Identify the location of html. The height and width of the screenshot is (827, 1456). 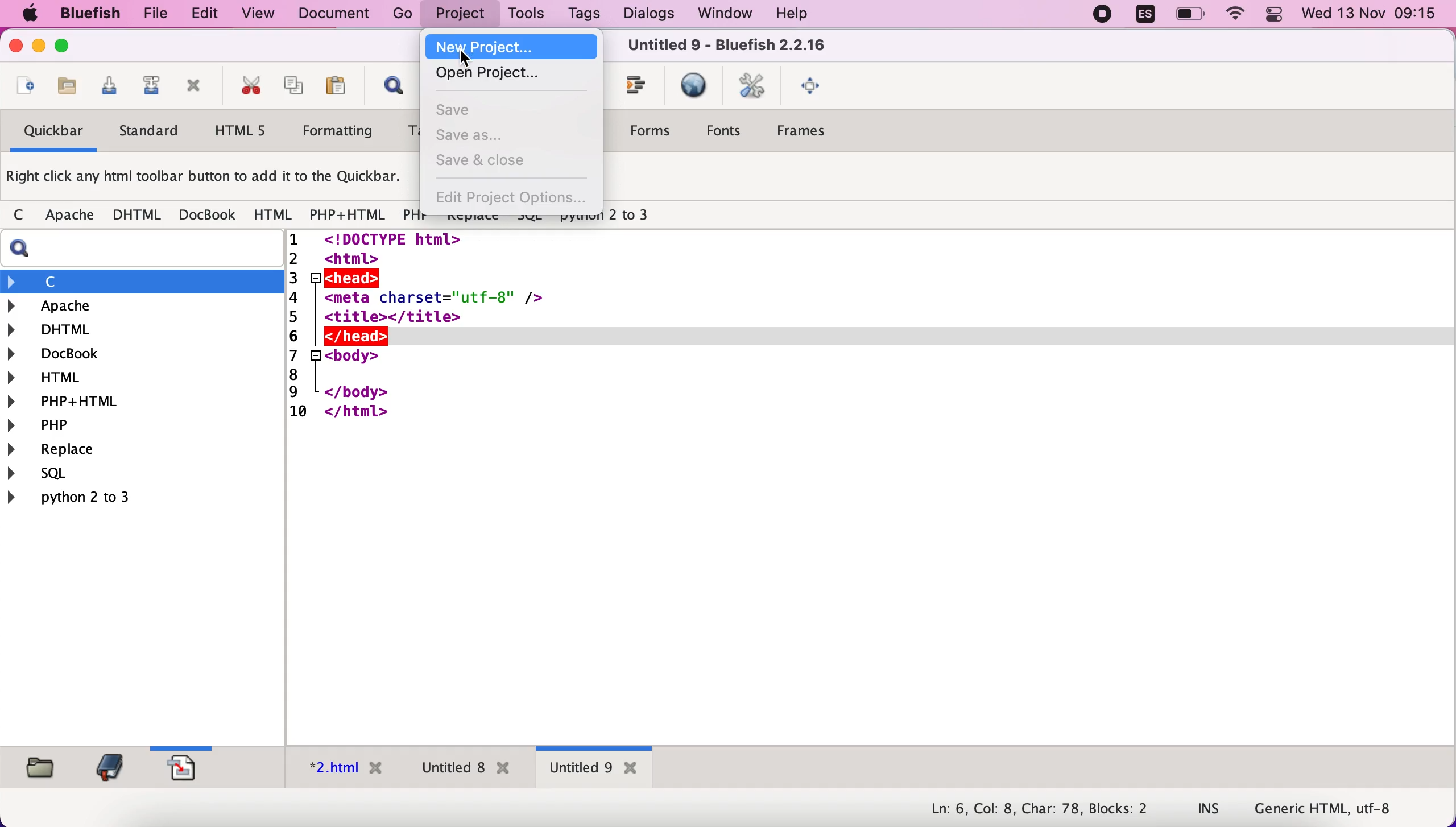
(143, 376).